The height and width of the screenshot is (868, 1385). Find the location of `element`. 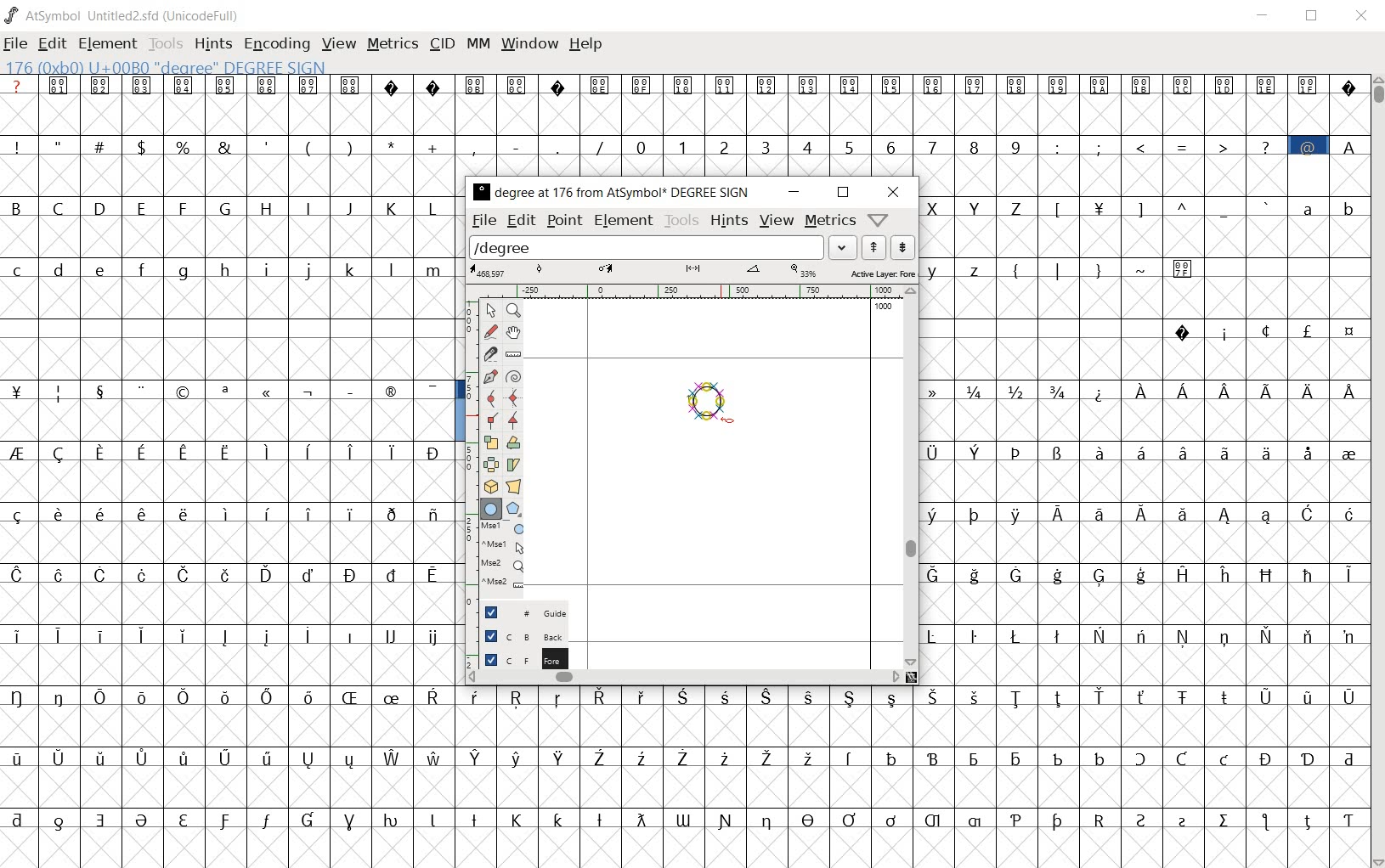

element is located at coordinates (625, 222).